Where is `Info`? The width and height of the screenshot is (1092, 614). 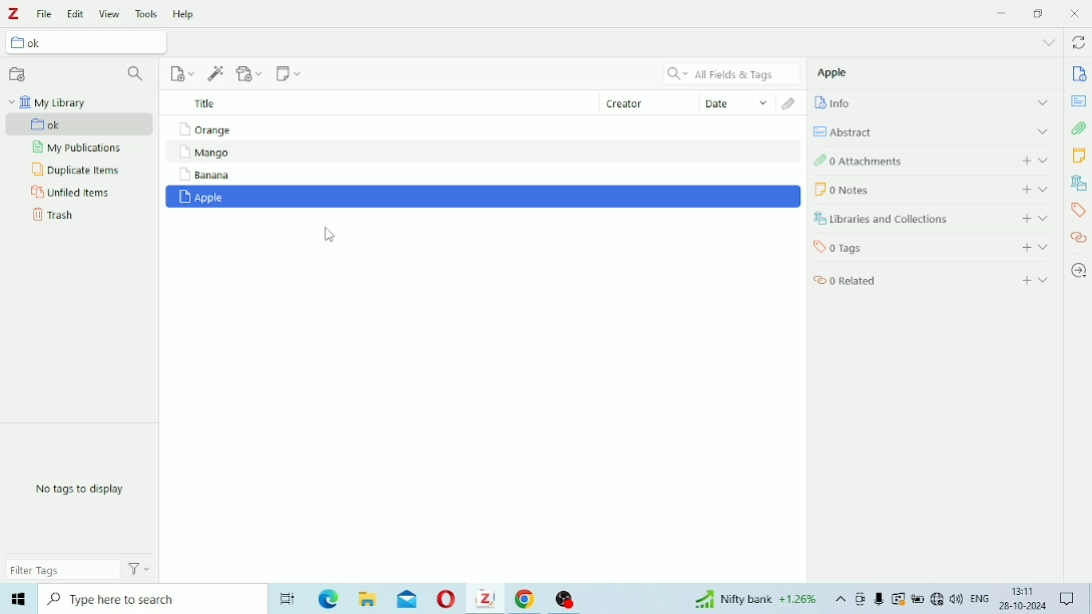
Info is located at coordinates (845, 104).